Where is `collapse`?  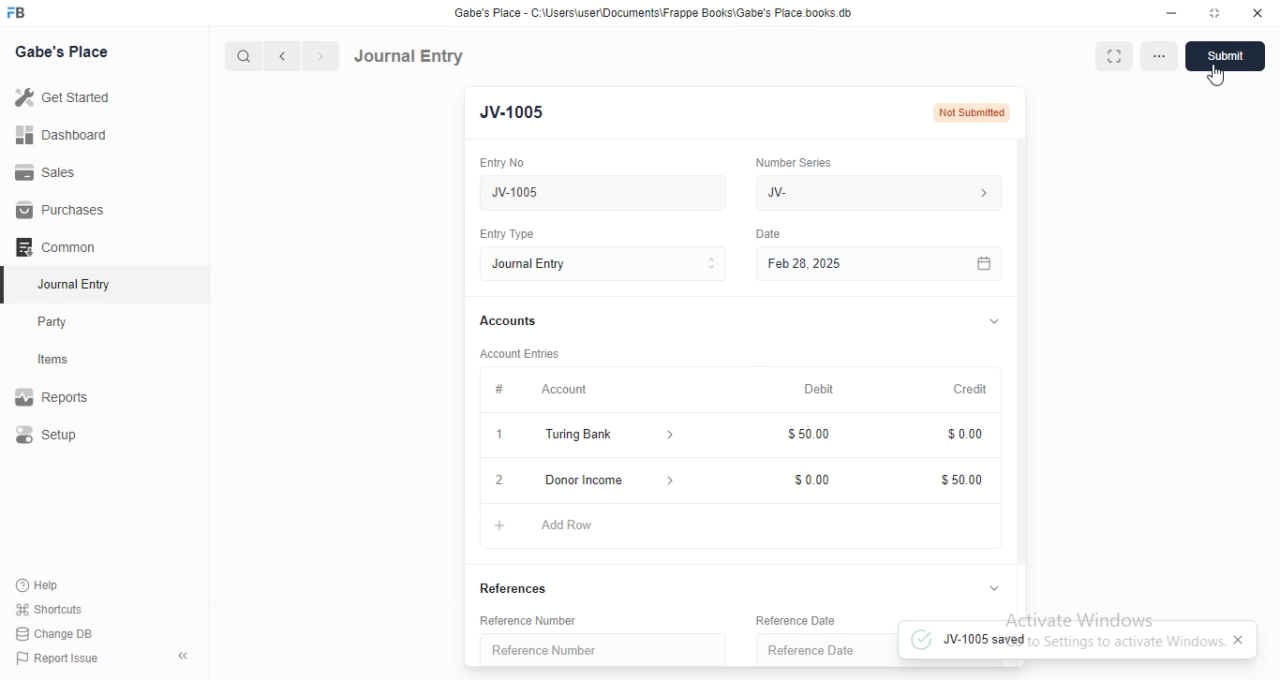 collapse is located at coordinates (993, 323).